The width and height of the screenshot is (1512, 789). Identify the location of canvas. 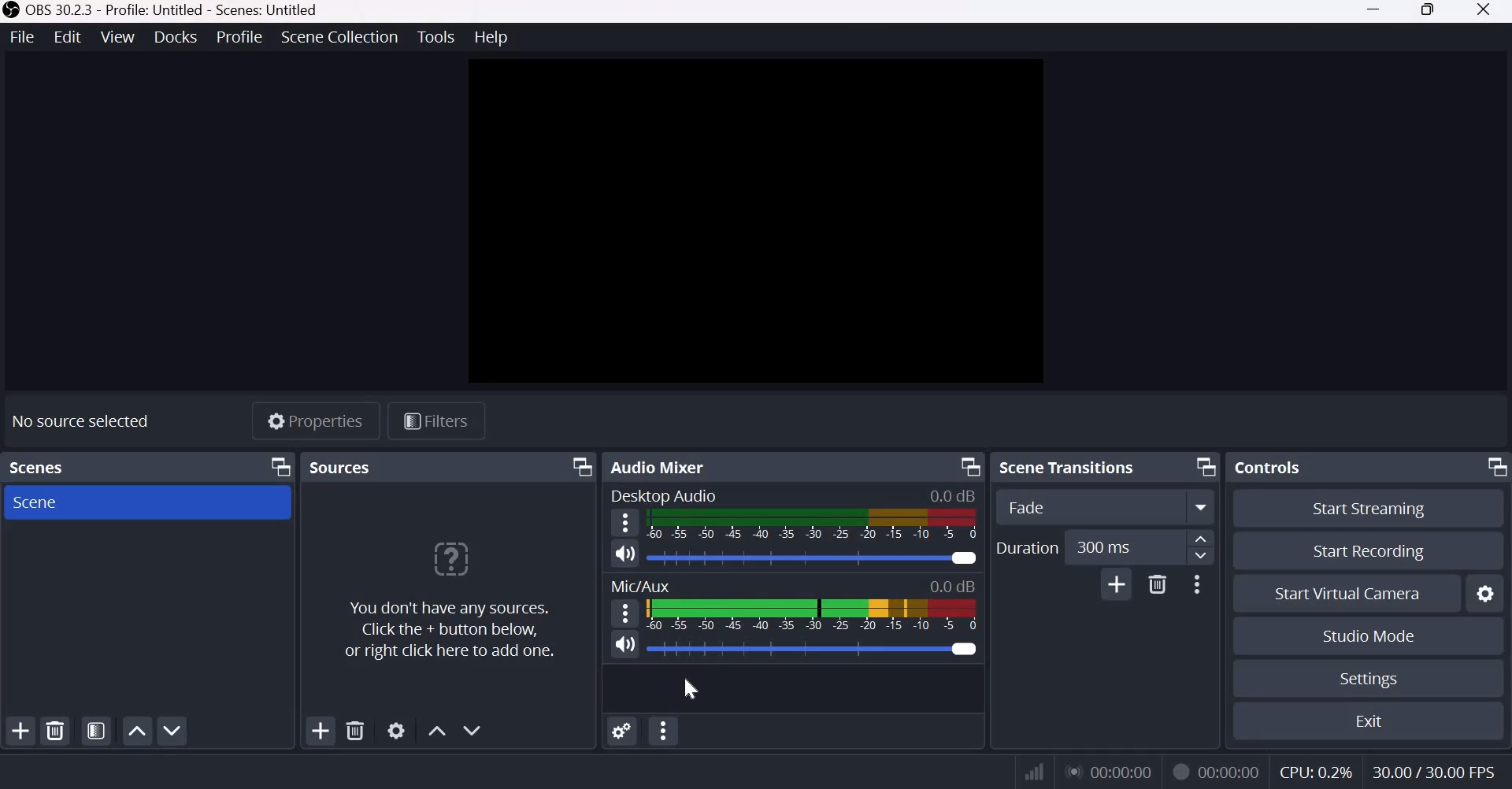
(750, 222).